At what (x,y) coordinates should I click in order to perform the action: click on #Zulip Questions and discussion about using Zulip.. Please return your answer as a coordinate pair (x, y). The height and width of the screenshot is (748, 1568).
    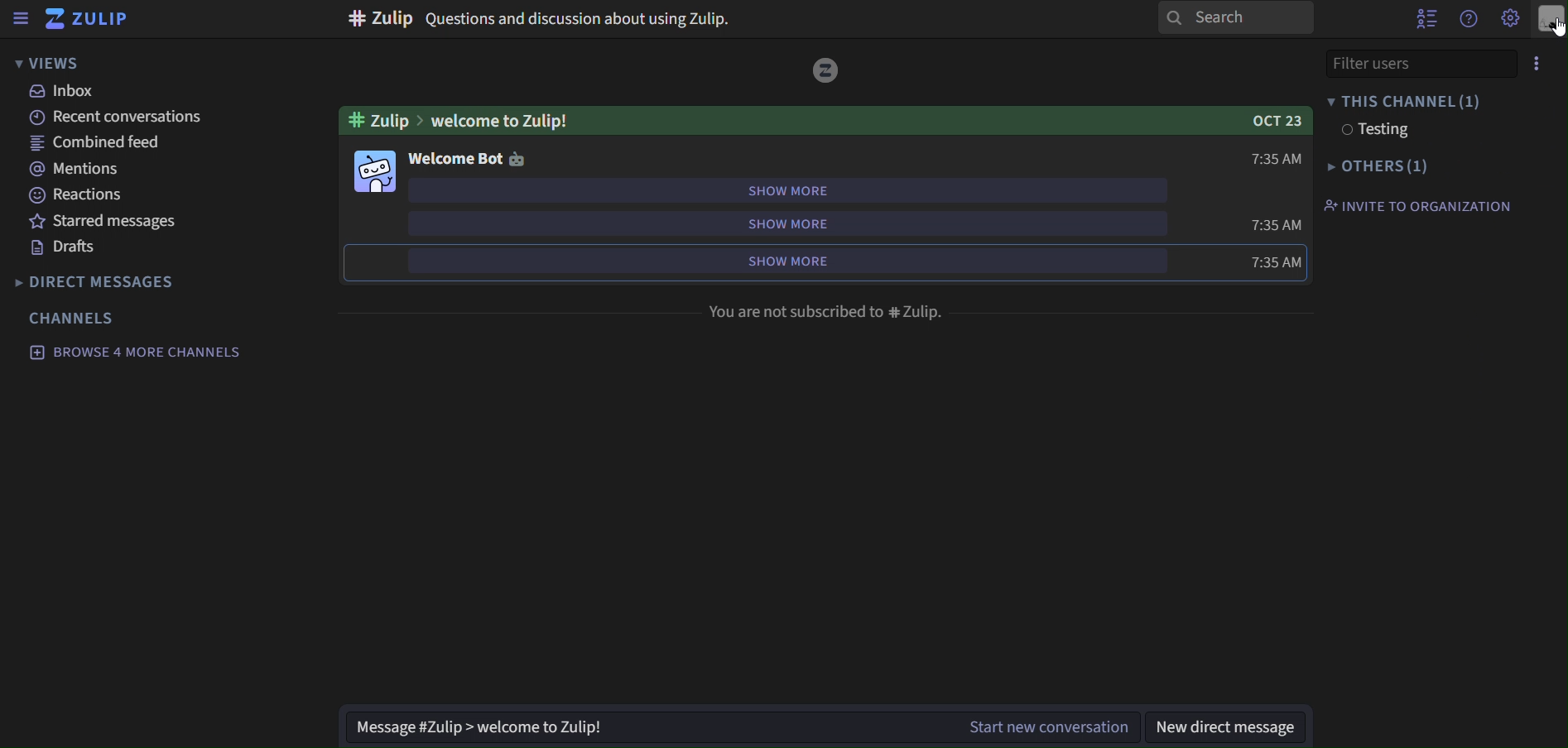
    Looking at the image, I should click on (544, 17).